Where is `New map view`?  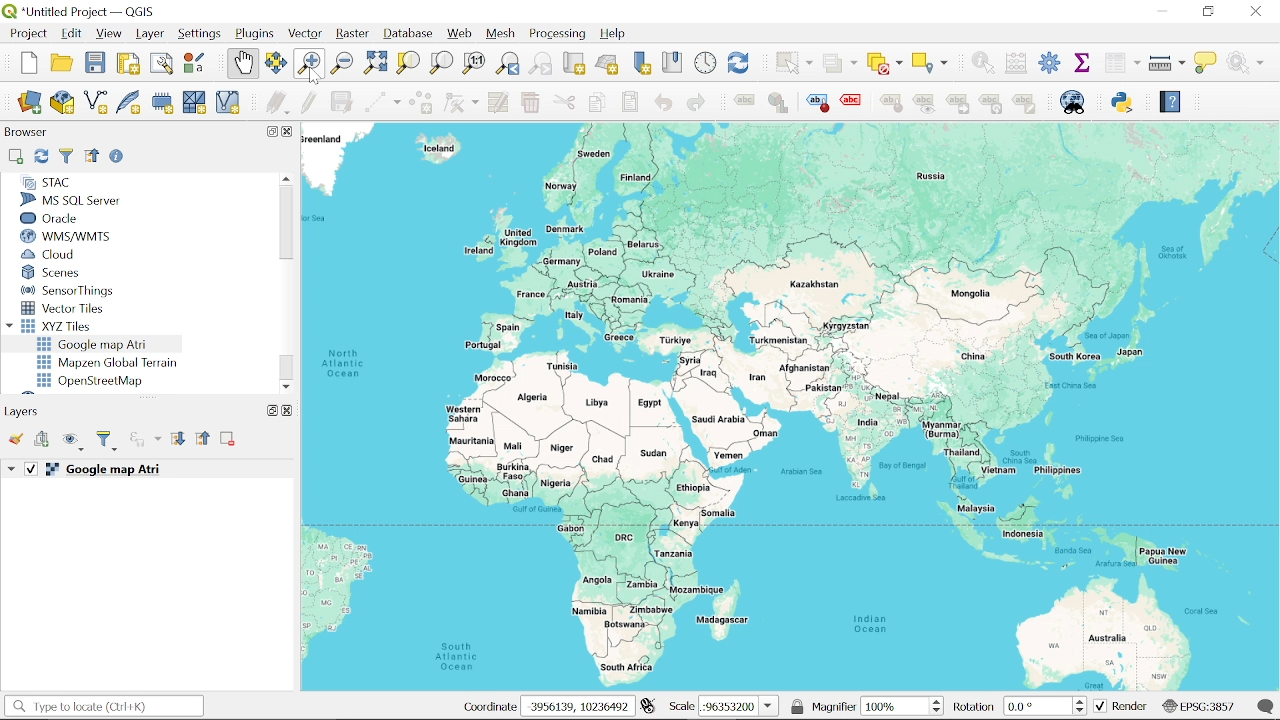
New map view is located at coordinates (574, 65).